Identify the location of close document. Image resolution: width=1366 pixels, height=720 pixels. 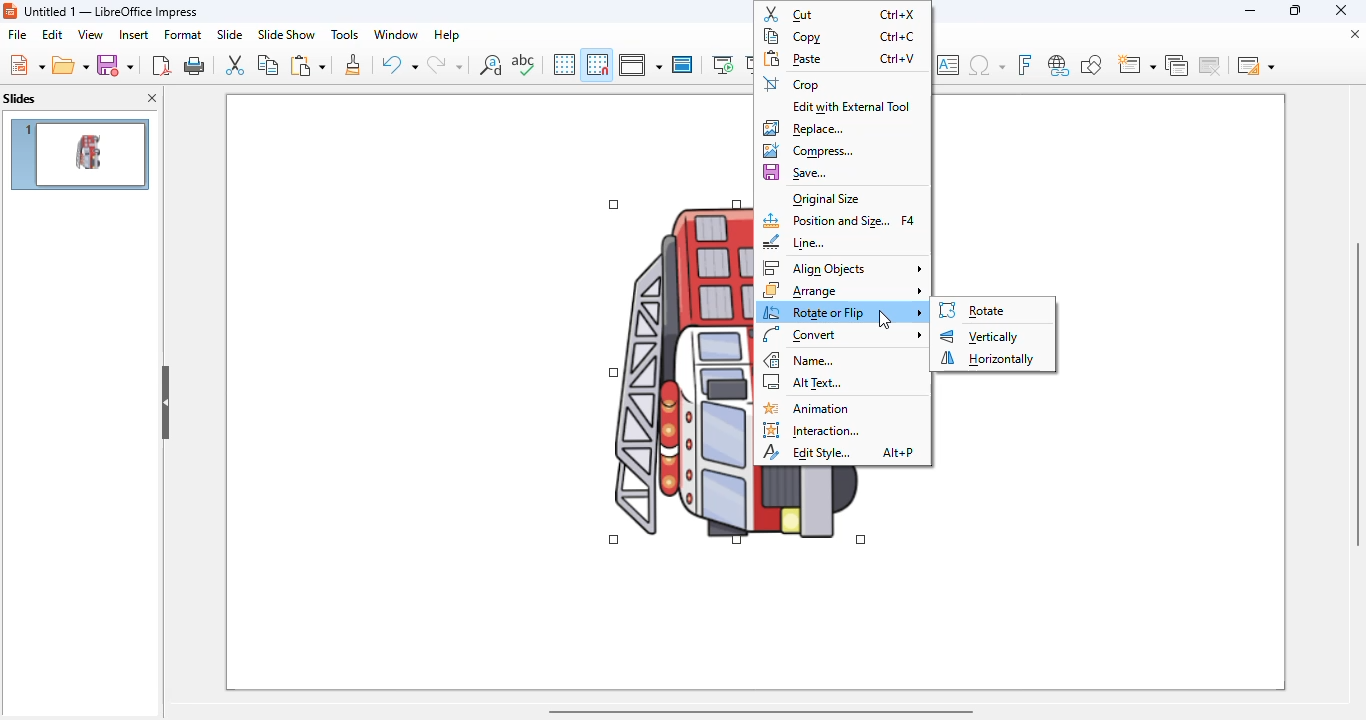
(1354, 33).